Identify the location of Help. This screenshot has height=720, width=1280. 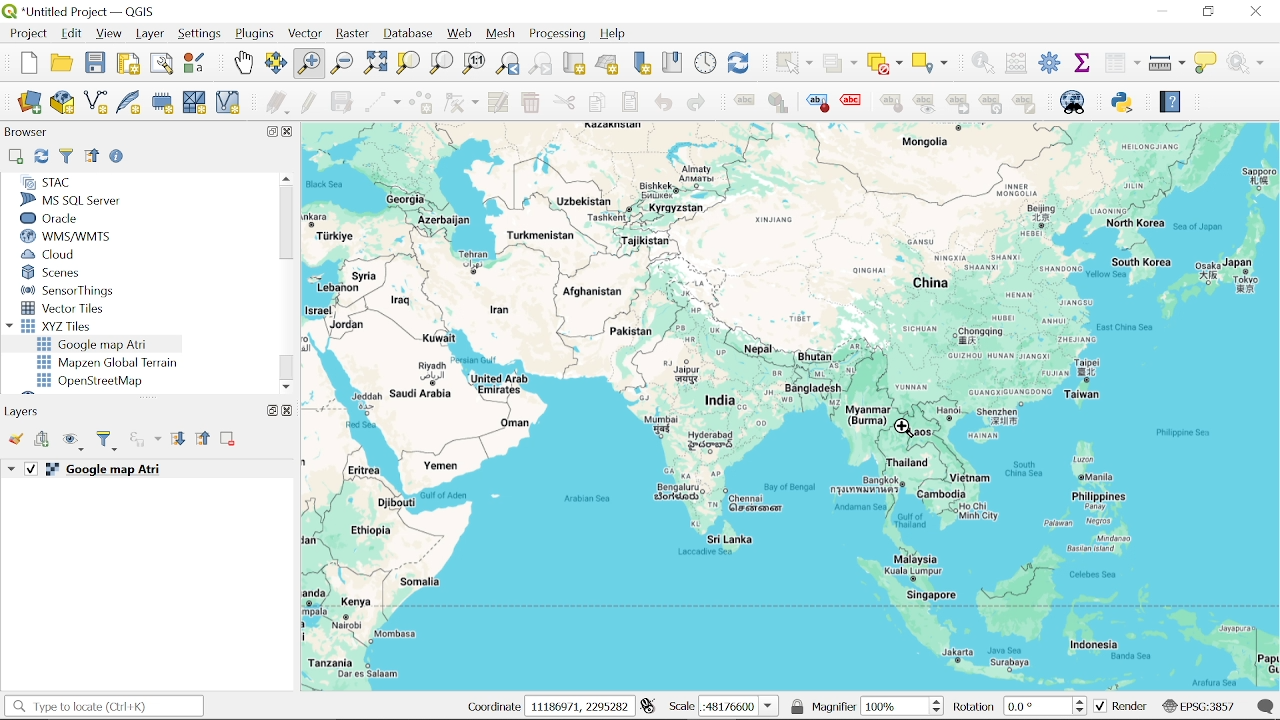
(618, 35).